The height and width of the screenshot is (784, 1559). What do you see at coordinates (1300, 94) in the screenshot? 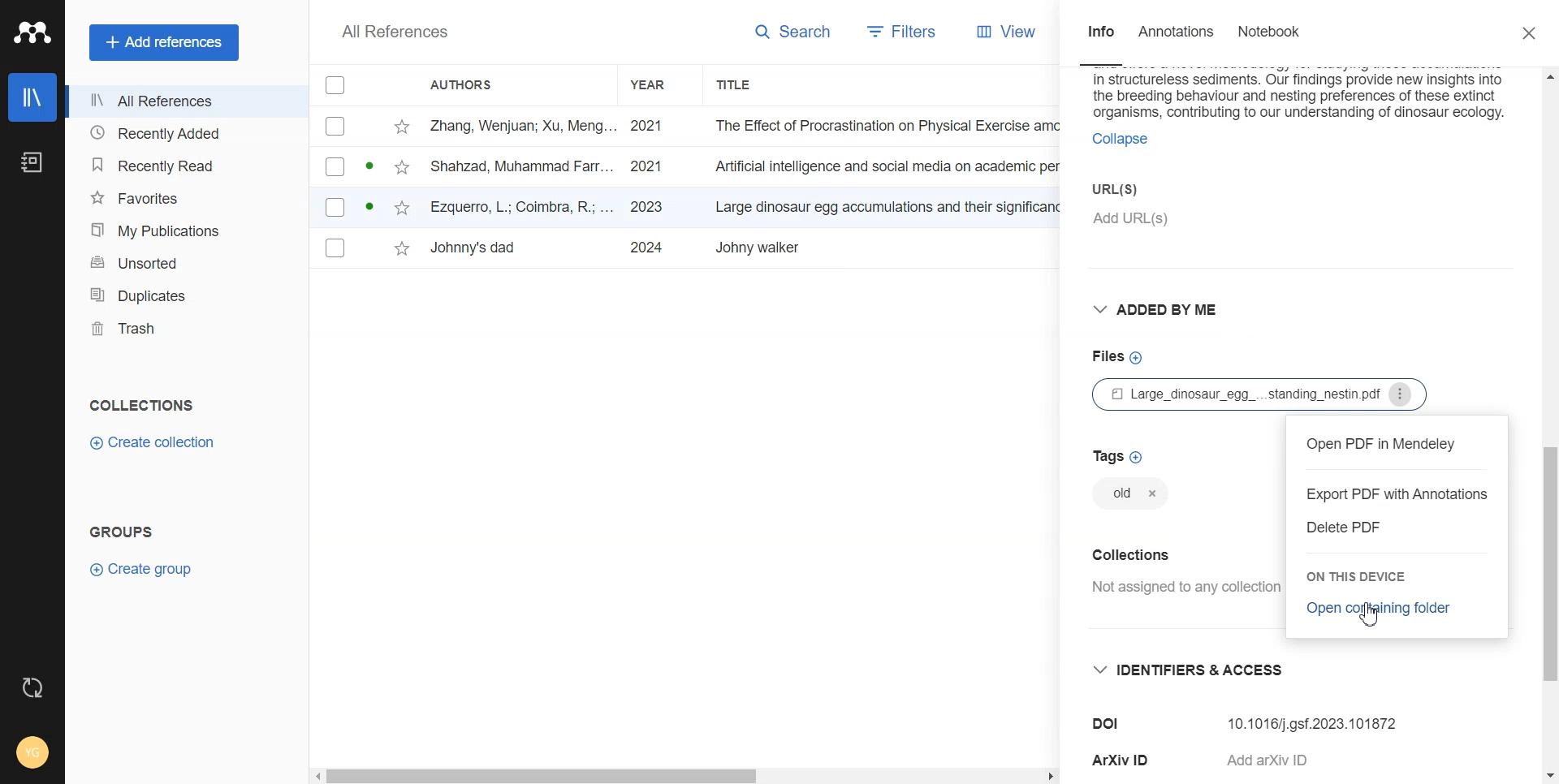
I see `Abstract of large dinosaur egg accumulations and their significance for understanding nesting behaviour` at bounding box center [1300, 94].